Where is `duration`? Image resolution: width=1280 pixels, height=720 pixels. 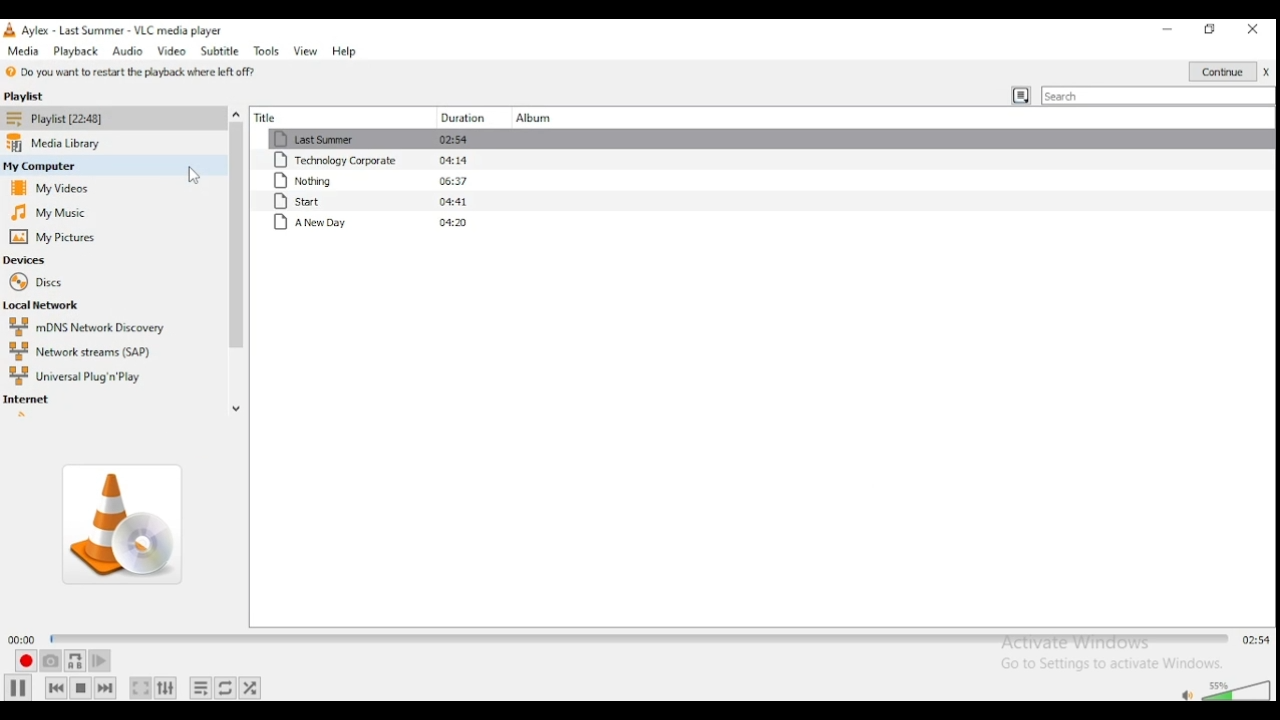 duration is located at coordinates (460, 114).